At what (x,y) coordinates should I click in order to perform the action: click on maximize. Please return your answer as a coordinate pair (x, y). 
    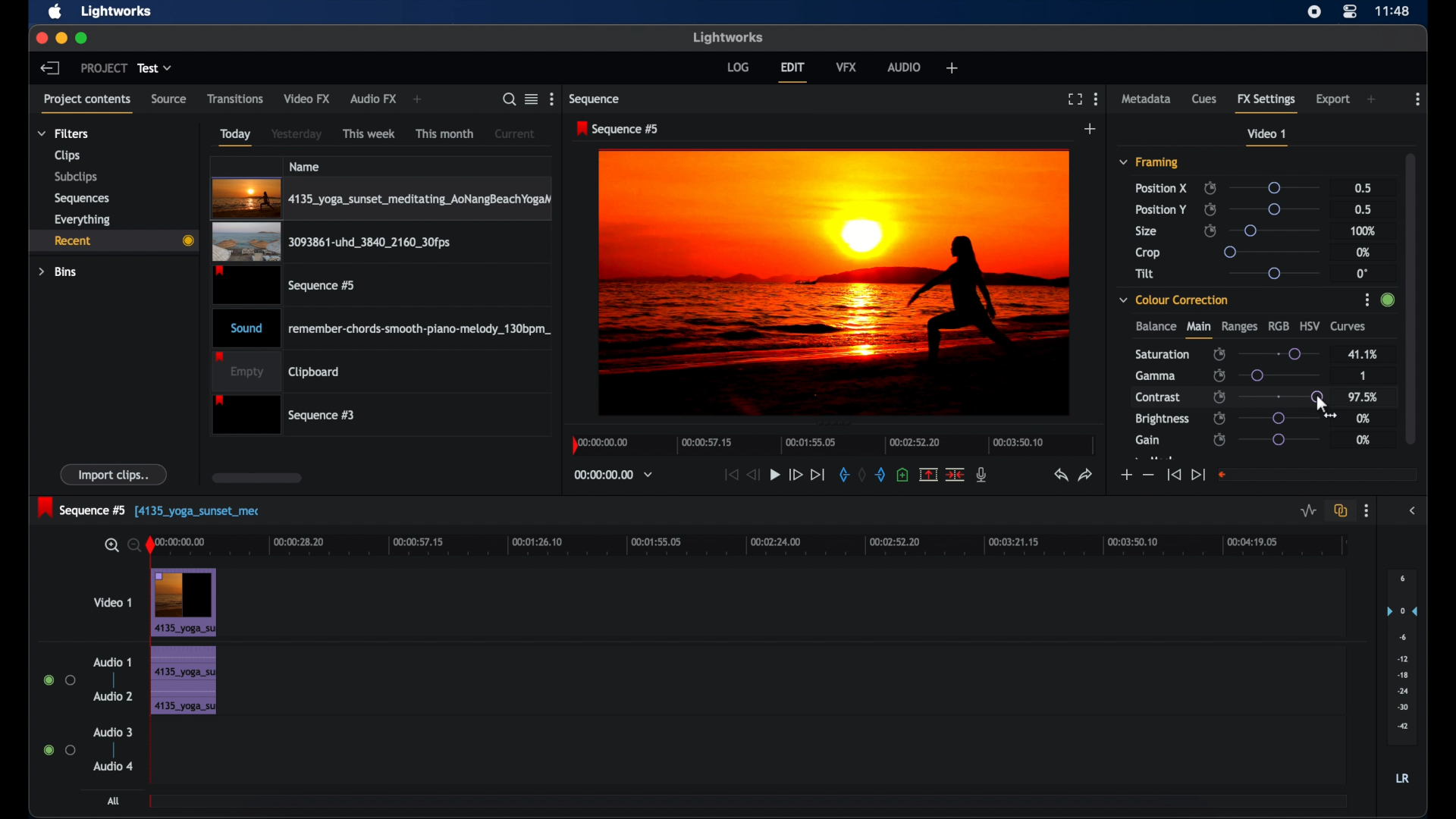
    Looking at the image, I should click on (82, 38).